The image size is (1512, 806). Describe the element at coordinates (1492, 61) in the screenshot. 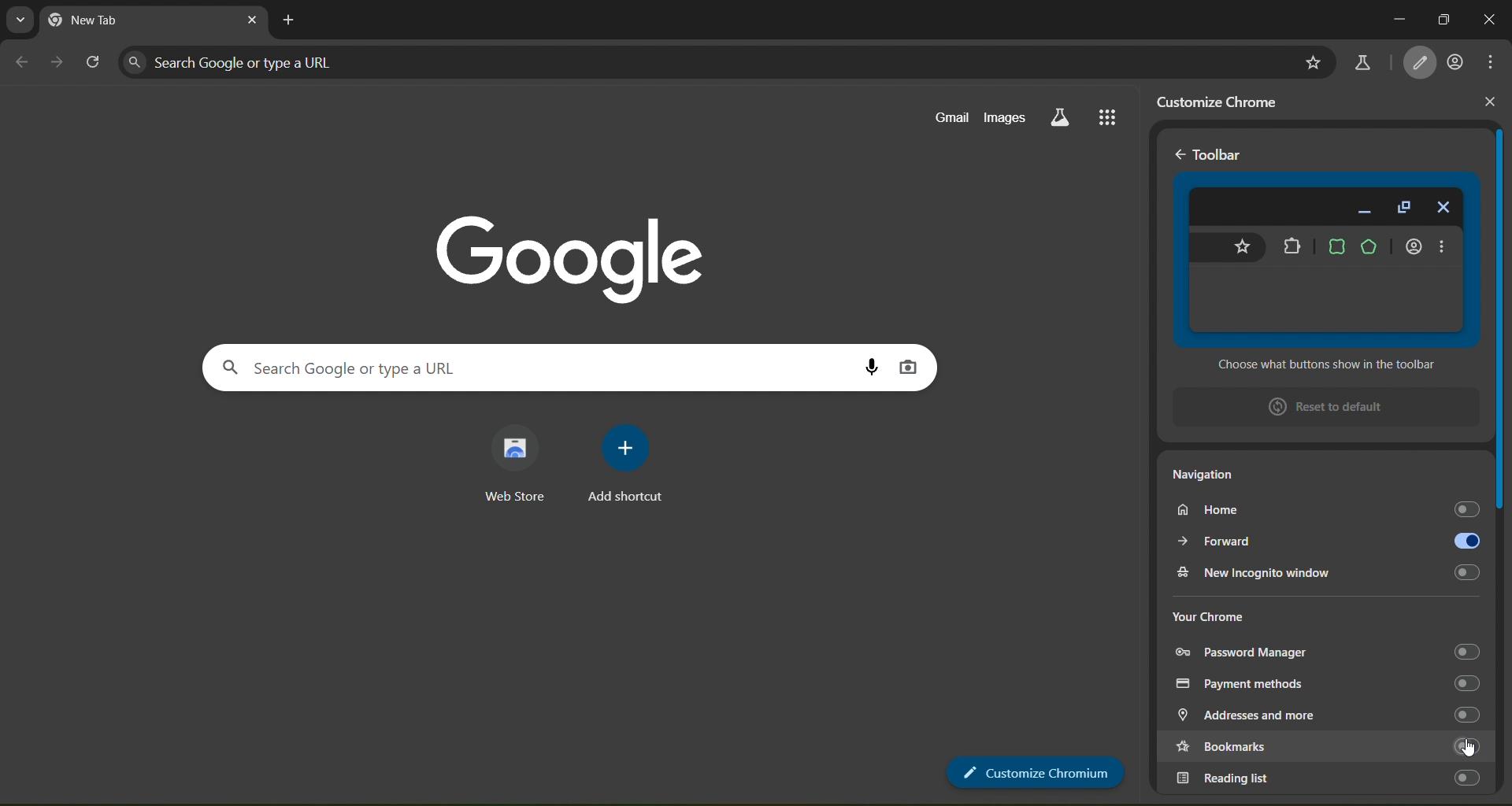

I see `menu` at that location.